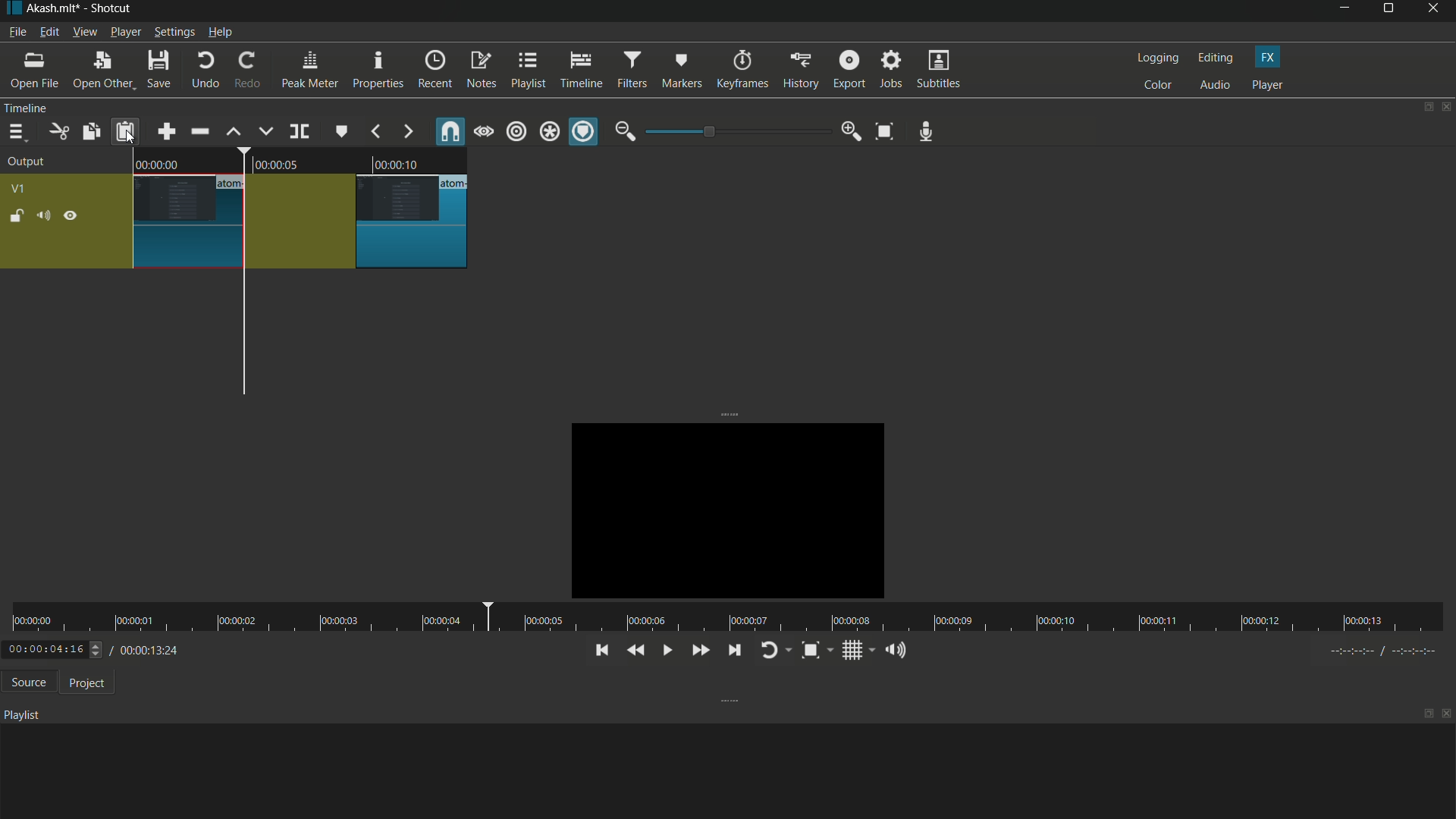 The width and height of the screenshot is (1456, 819). I want to click on maximize, so click(1390, 11).